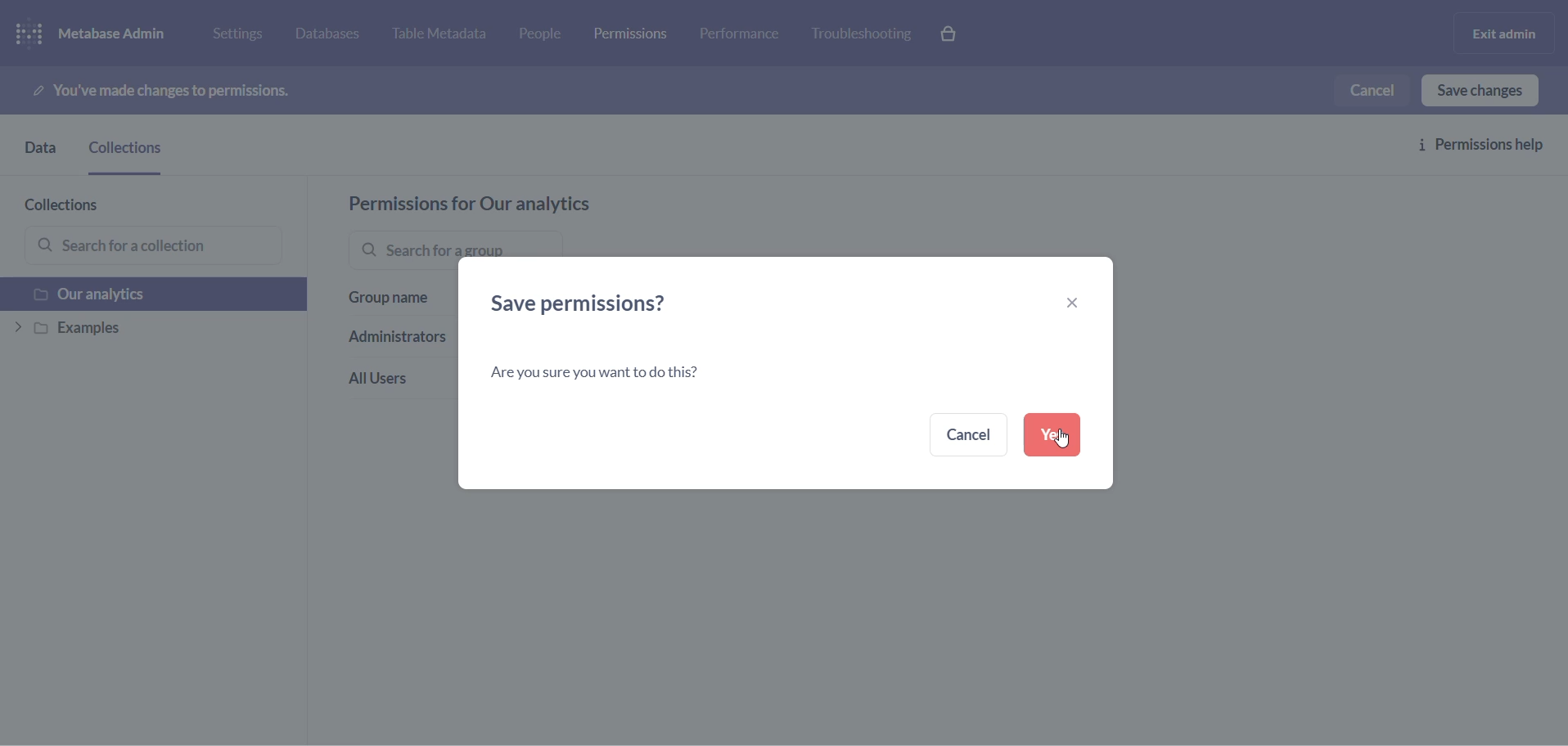 This screenshot has width=1568, height=746. What do you see at coordinates (1501, 33) in the screenshot?
I see `exit admin` at bounding box center [1501, 33].